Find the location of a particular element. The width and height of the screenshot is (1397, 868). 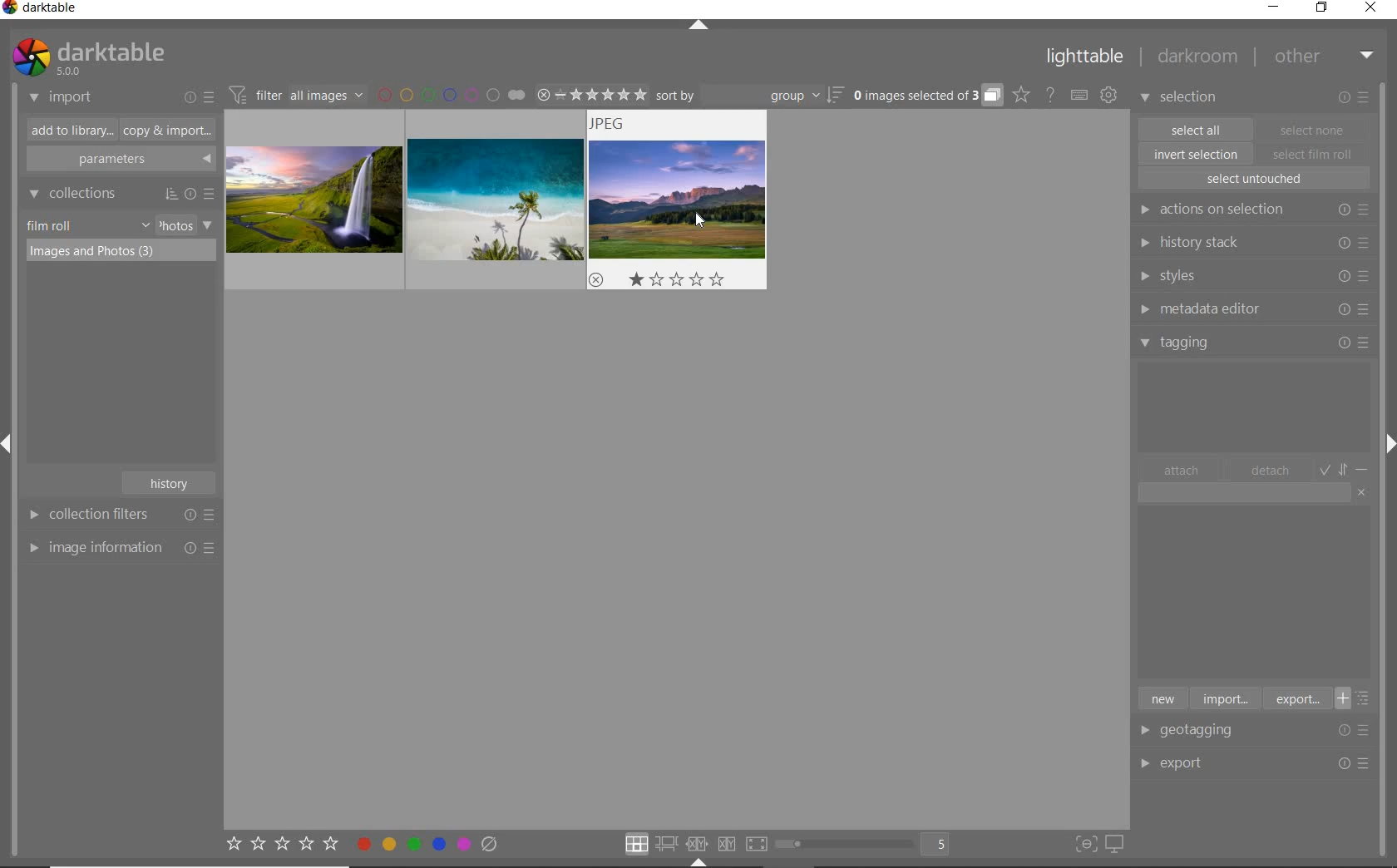

film roll is located at coordinates (51, 225).